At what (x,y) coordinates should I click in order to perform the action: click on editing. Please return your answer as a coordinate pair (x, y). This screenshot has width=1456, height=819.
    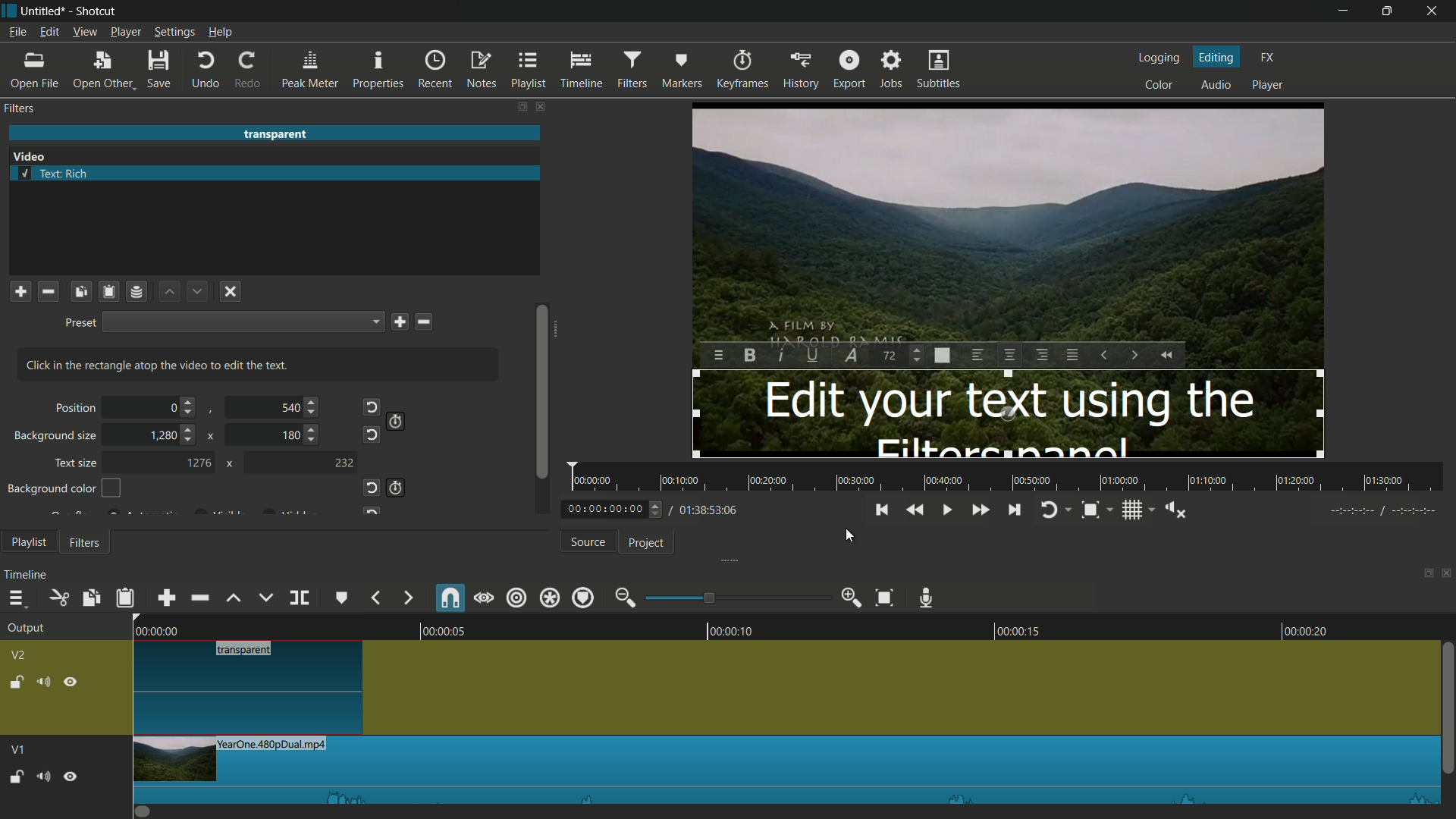
    Looking at the image, I should click on (1217, 57).